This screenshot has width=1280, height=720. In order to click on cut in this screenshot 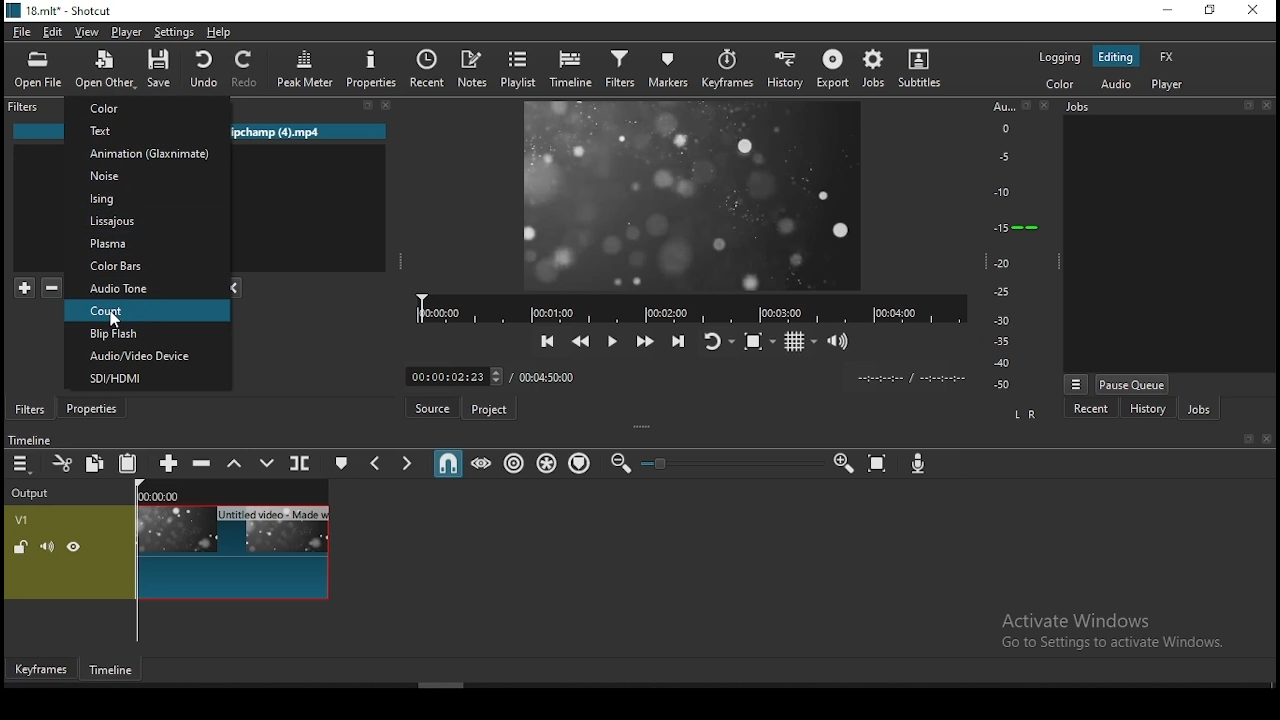, I will do `click(65, 463)`.